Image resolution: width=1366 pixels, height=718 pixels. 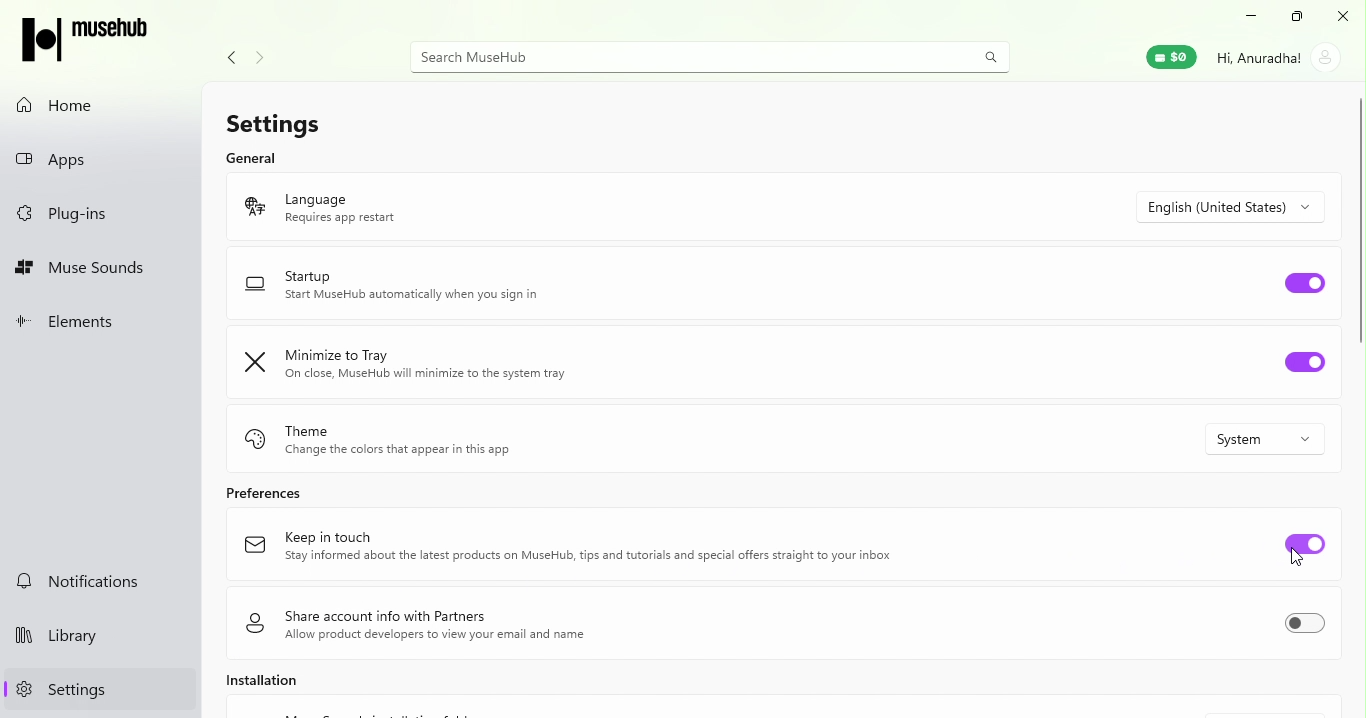 I want to click on Account, so click(x=1277, y=62).